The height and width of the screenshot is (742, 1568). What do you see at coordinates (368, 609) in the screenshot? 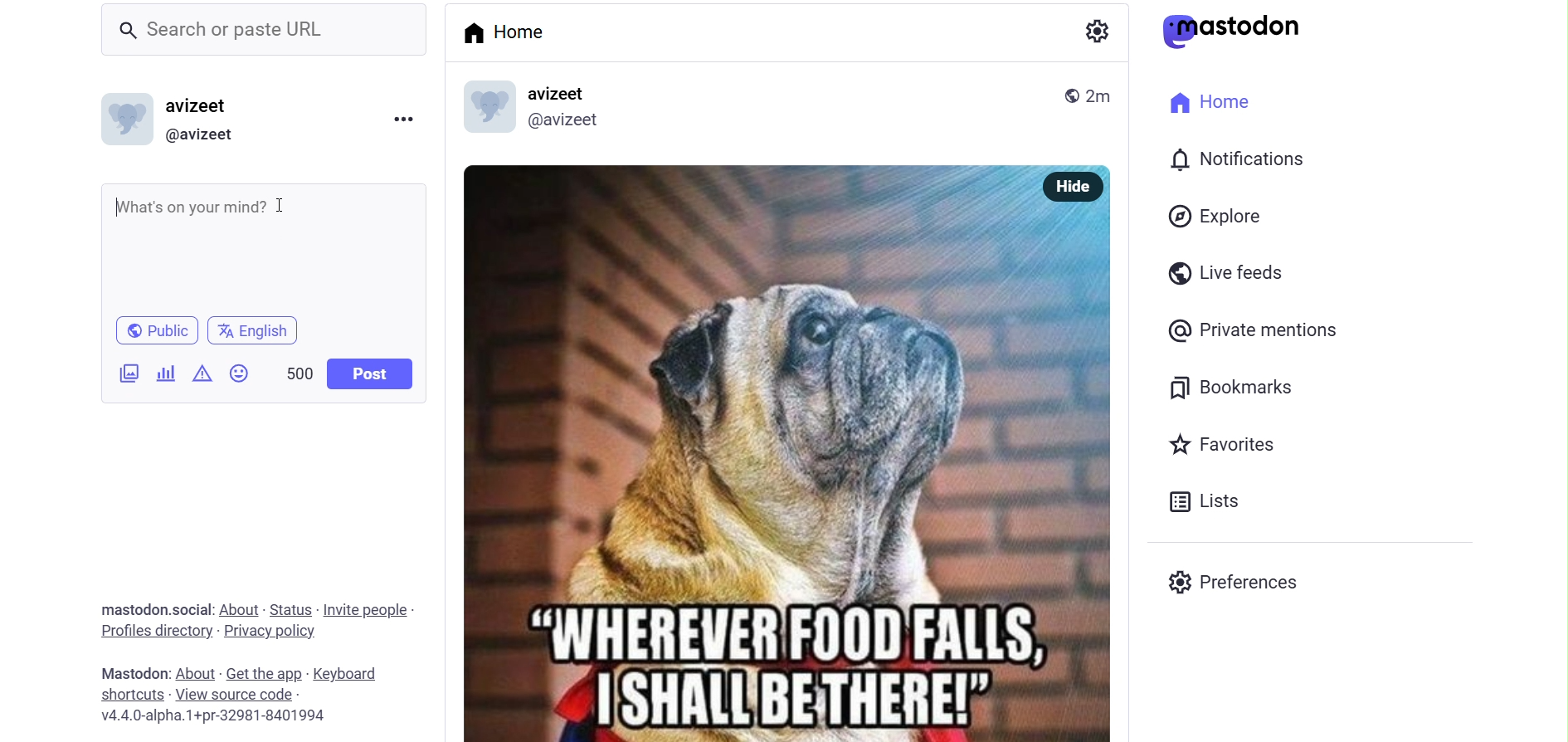
I see `invite people` at bounding box center [368, 609].